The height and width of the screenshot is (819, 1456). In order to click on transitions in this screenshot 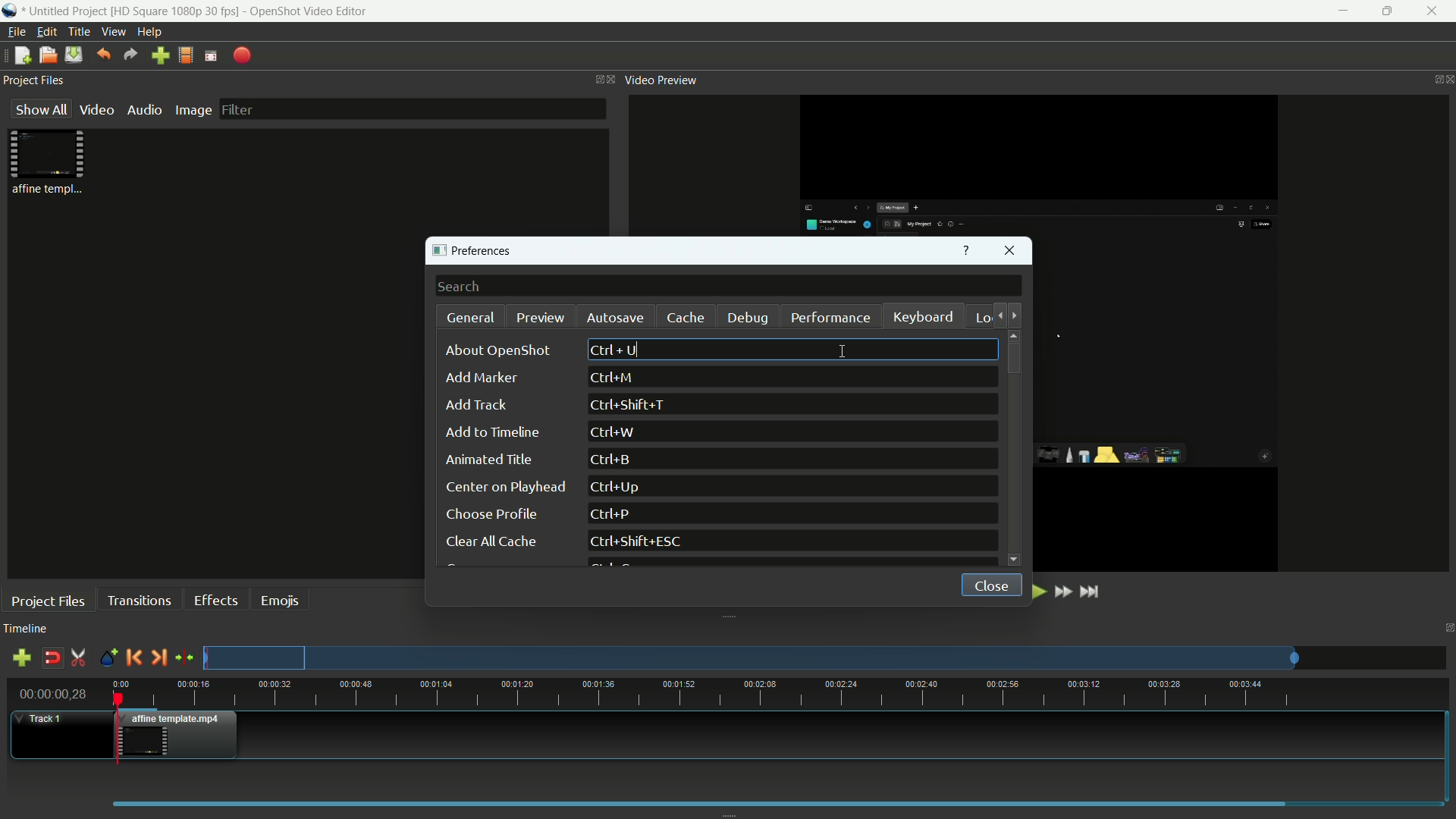, I will do `click(138, 600)`.